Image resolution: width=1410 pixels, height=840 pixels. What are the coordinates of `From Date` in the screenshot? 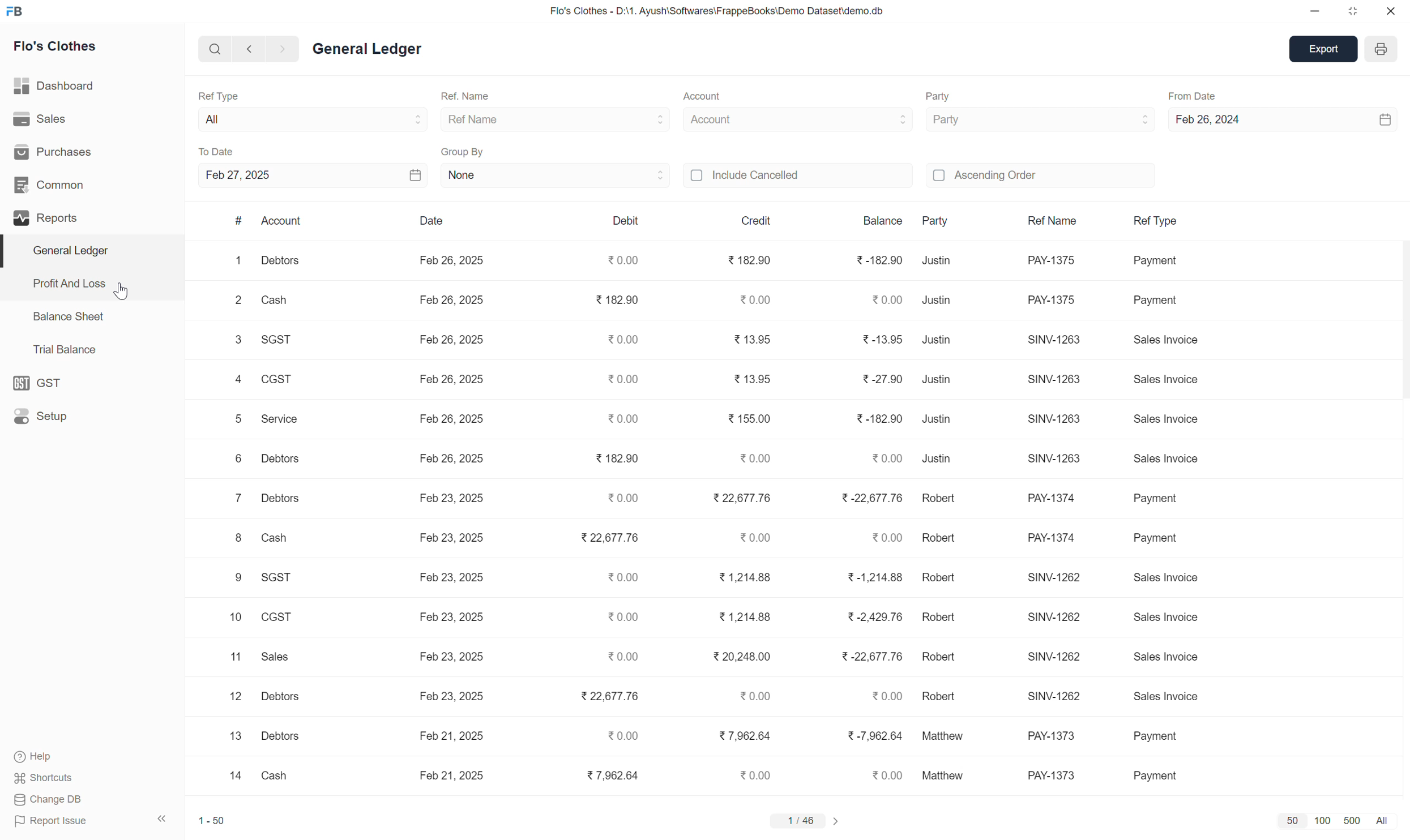 It's located at (1207, 97).